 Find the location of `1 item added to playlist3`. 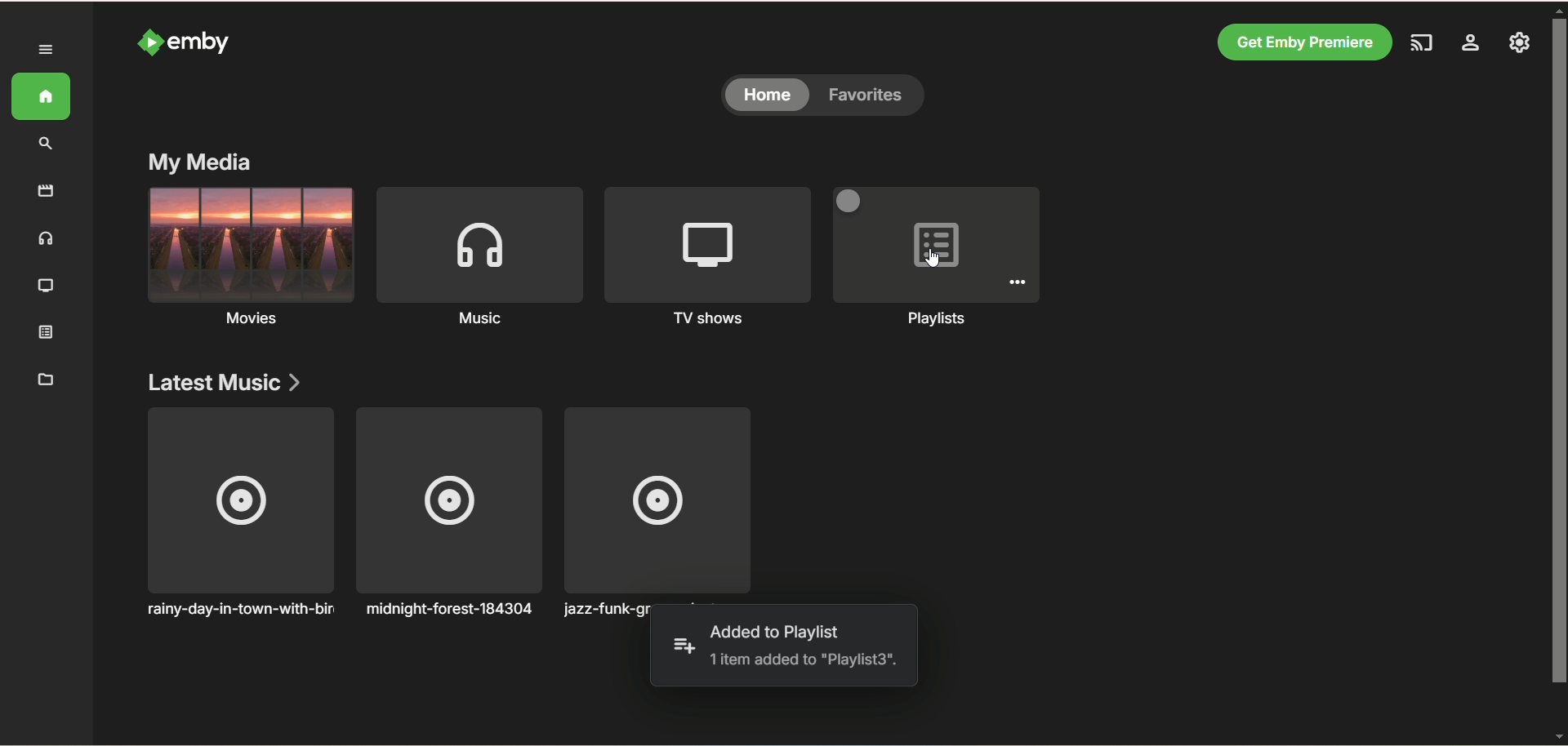

1 item added to playlist3 is located at coordinates (803, 660).